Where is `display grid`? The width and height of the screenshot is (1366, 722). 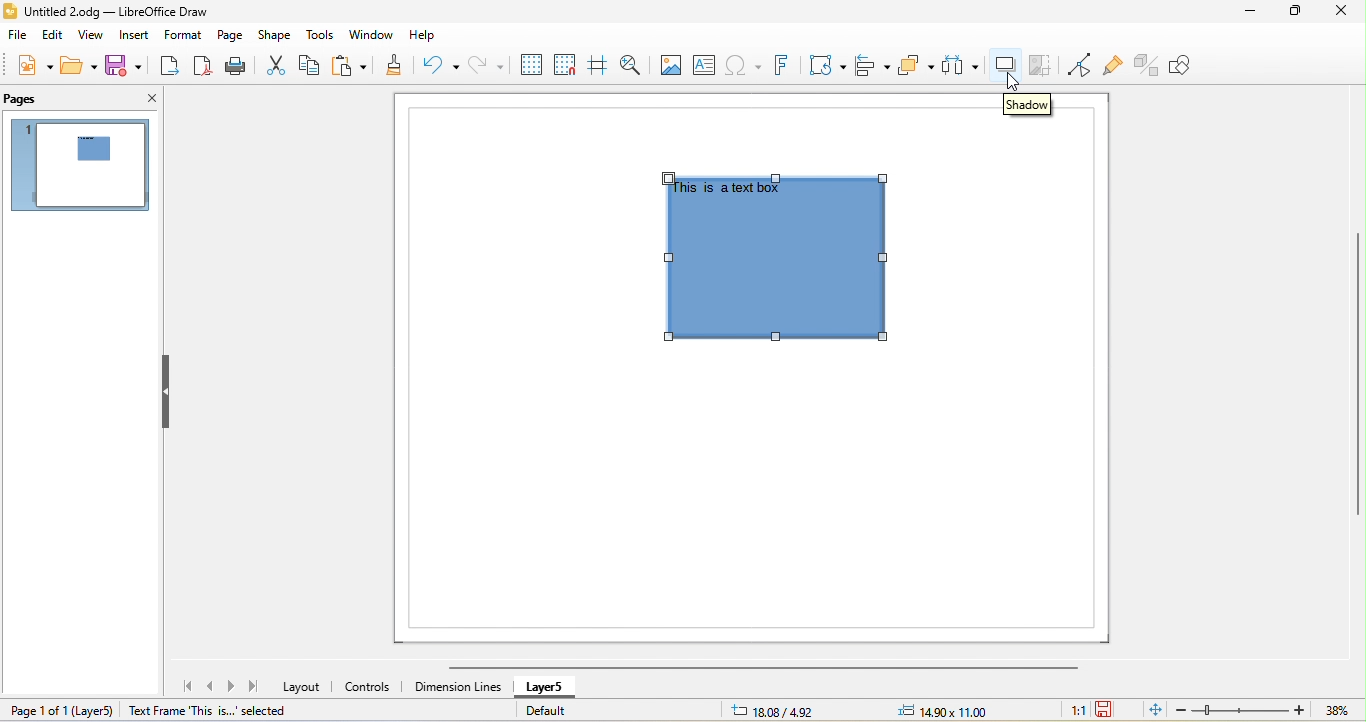 display grid is located at coordinates (532, 64).